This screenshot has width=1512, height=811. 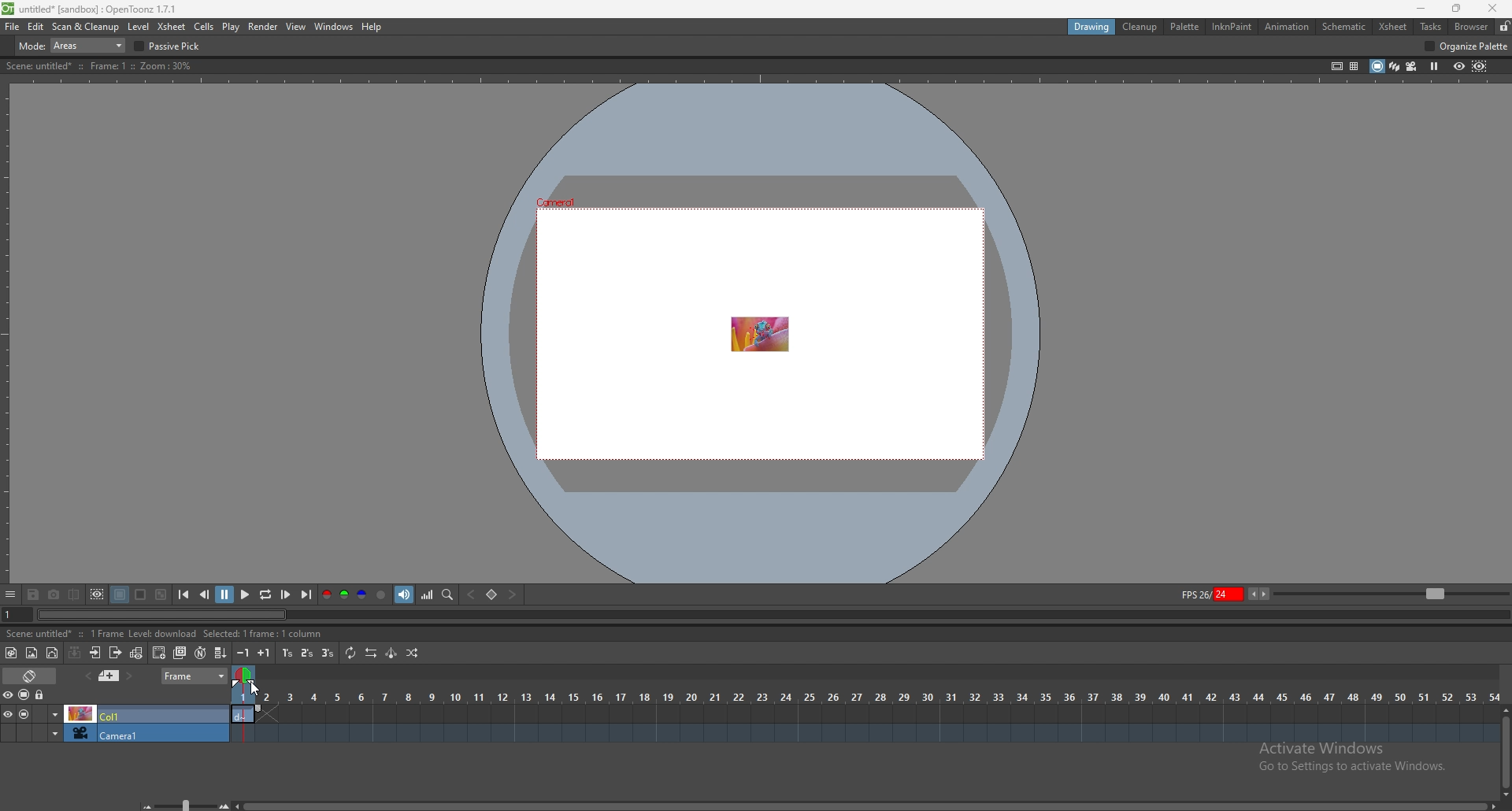 What do you see at coordinates (412, 654) in the screenshot?
I see `random` at bounding box center [412, 654].